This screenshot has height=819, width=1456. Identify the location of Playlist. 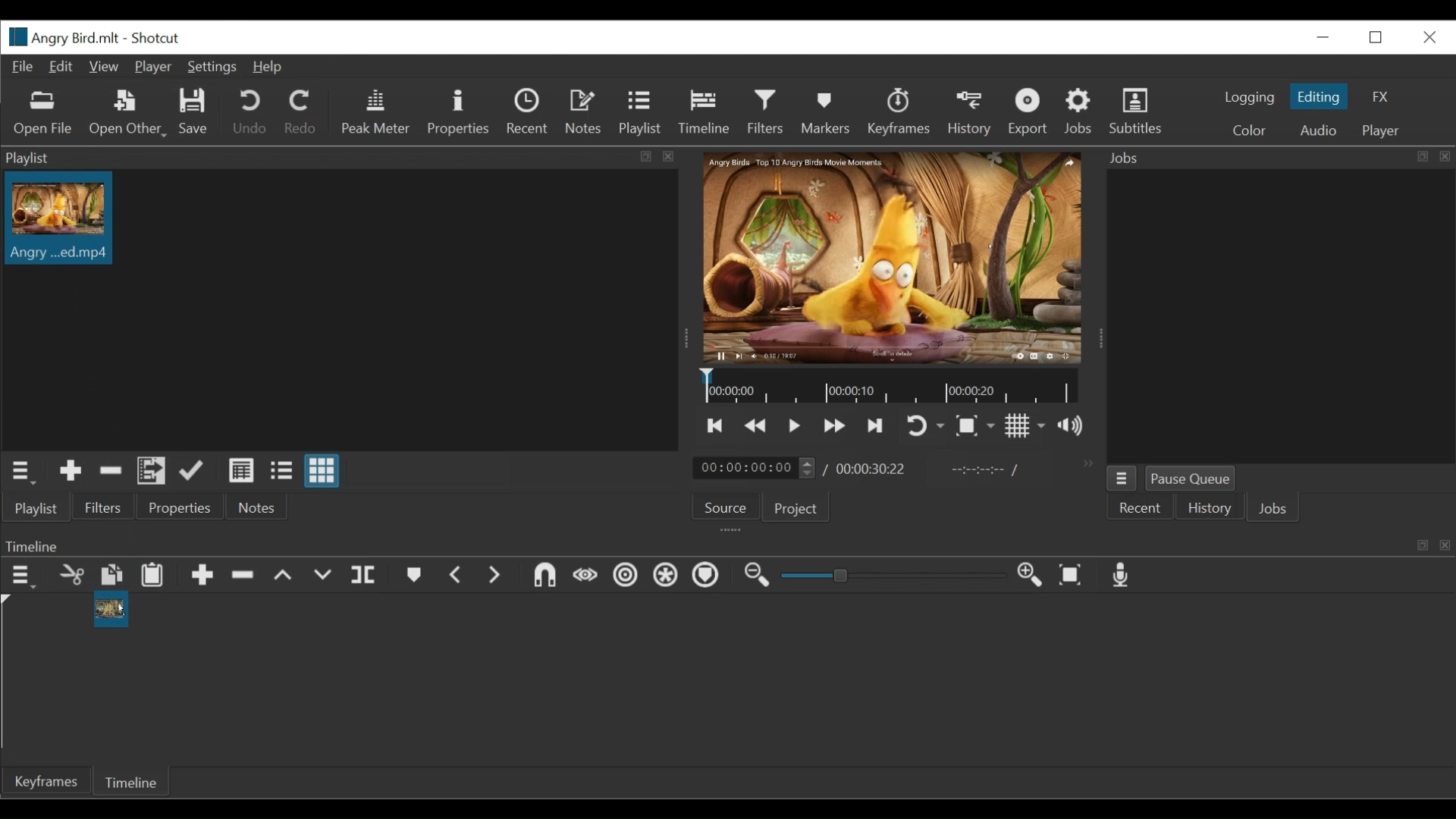
(34, 508).